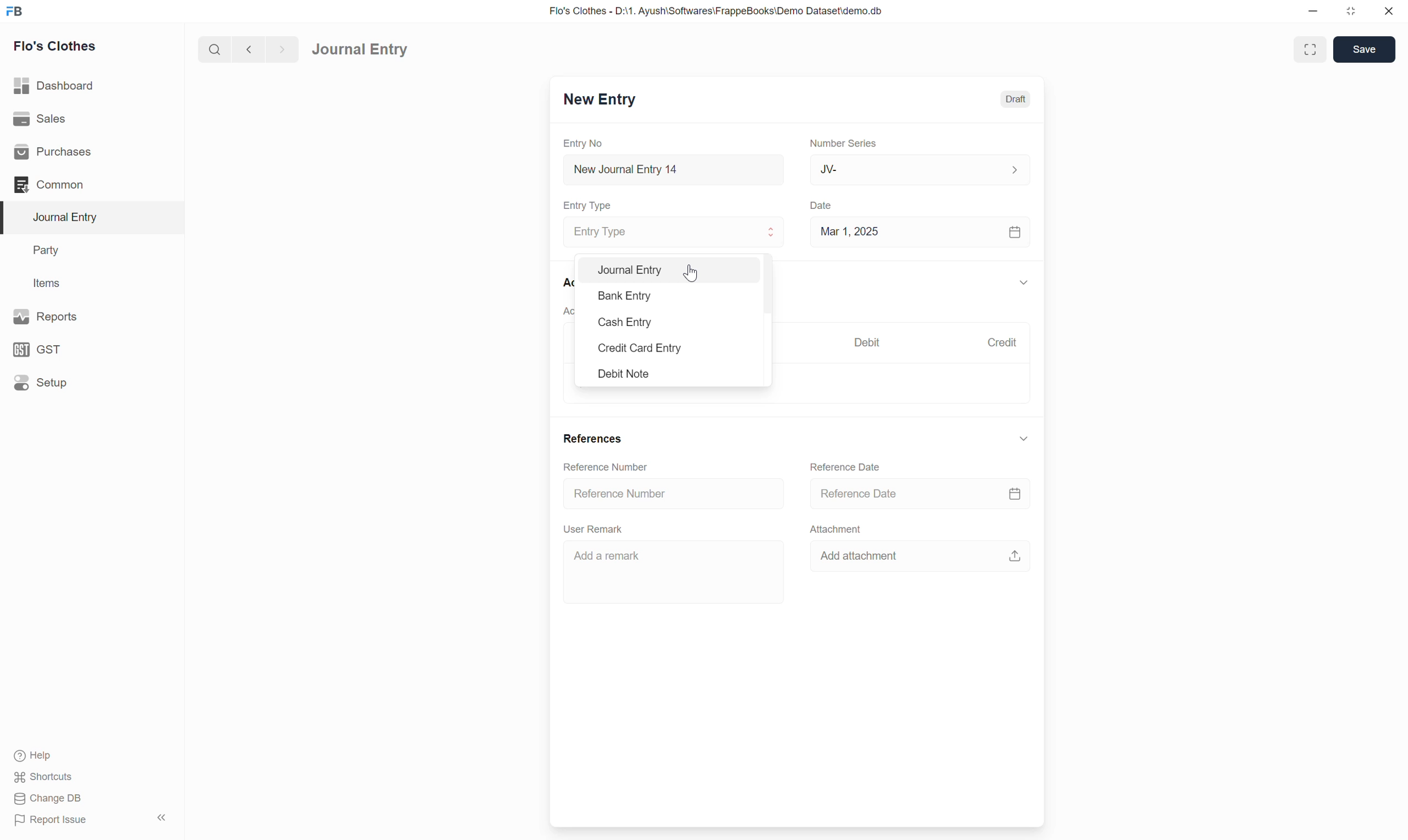  What do you see at coordinates (600, 98) in the screenshot?
I see `New Entry` at bounding box center [600, 98].